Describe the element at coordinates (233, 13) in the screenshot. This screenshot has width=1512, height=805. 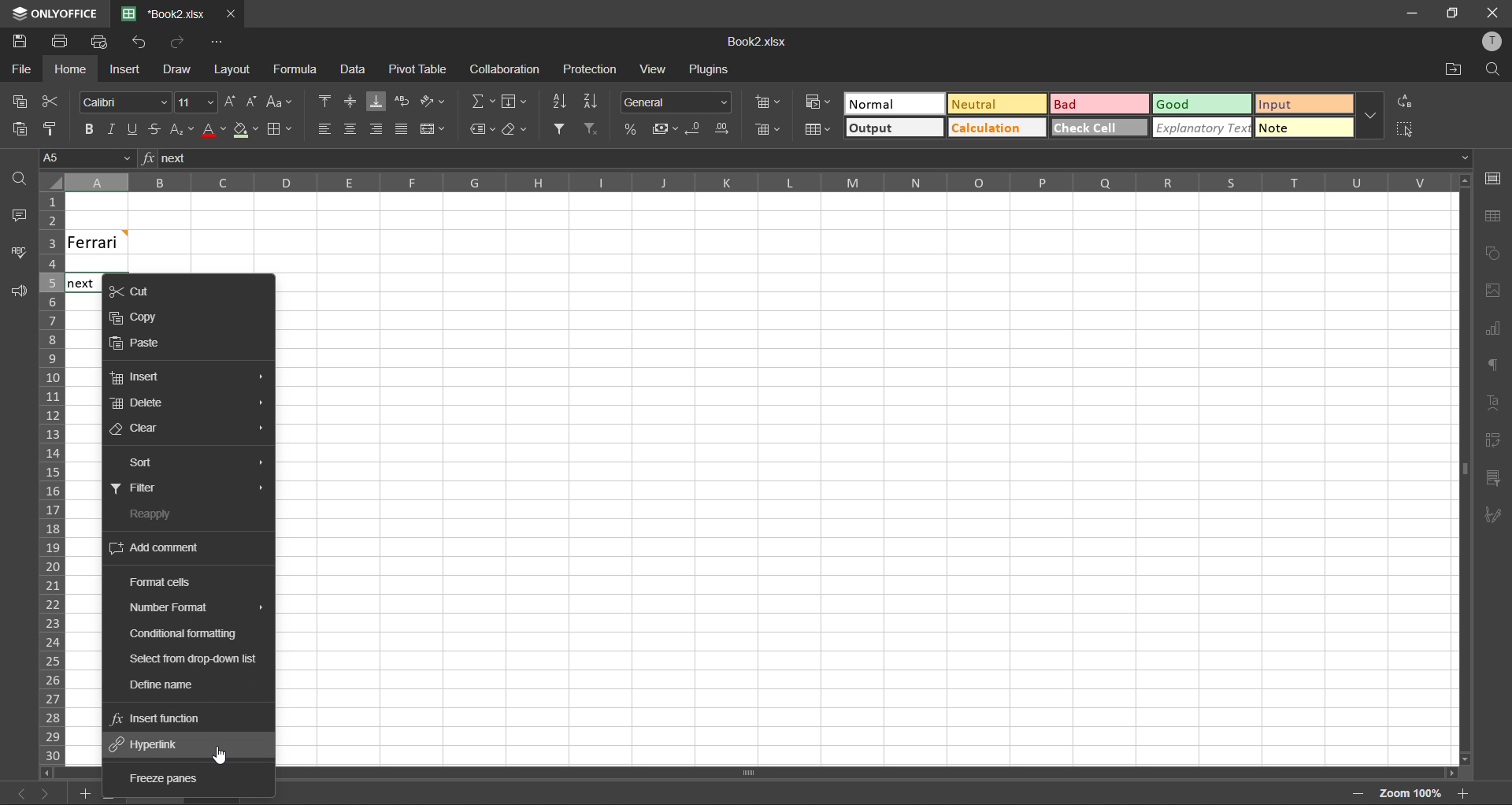
I see `close tab` at that location.